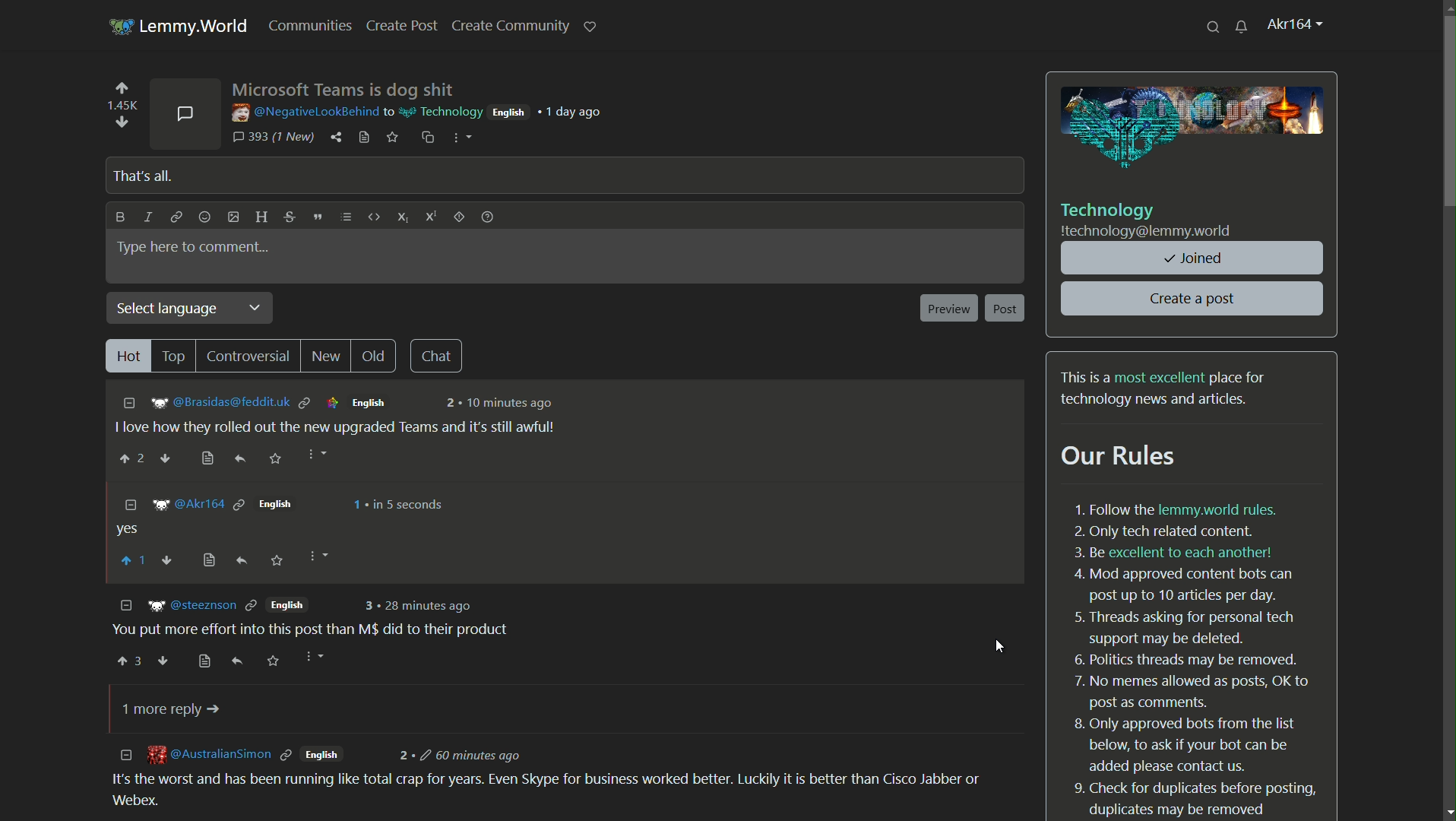 This screenshot has width=1456, height=821. I want to click on cursor, so click(1001, 645).